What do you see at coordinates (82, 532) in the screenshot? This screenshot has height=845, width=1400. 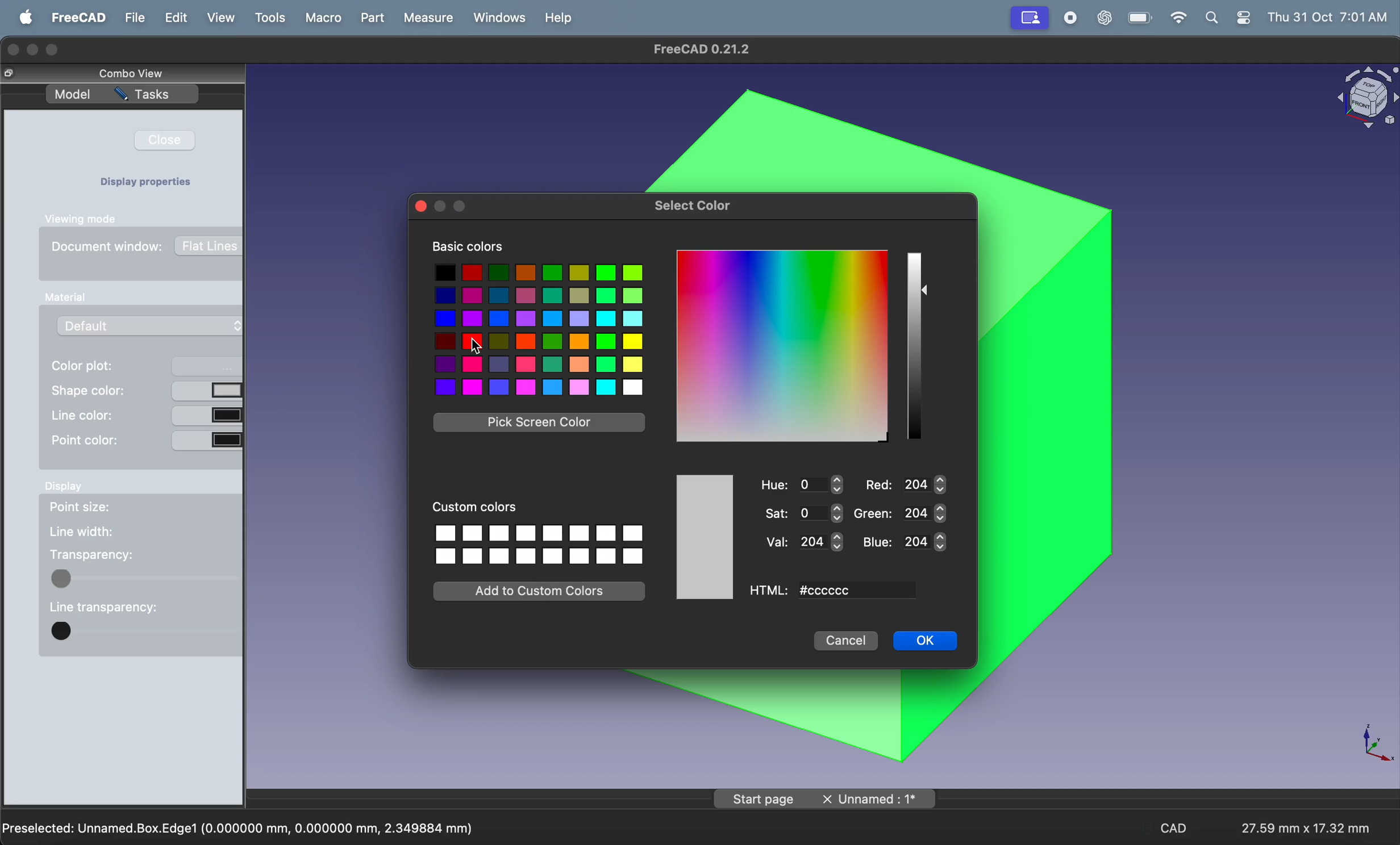 I see `line width` at bounding box center [82, 532].